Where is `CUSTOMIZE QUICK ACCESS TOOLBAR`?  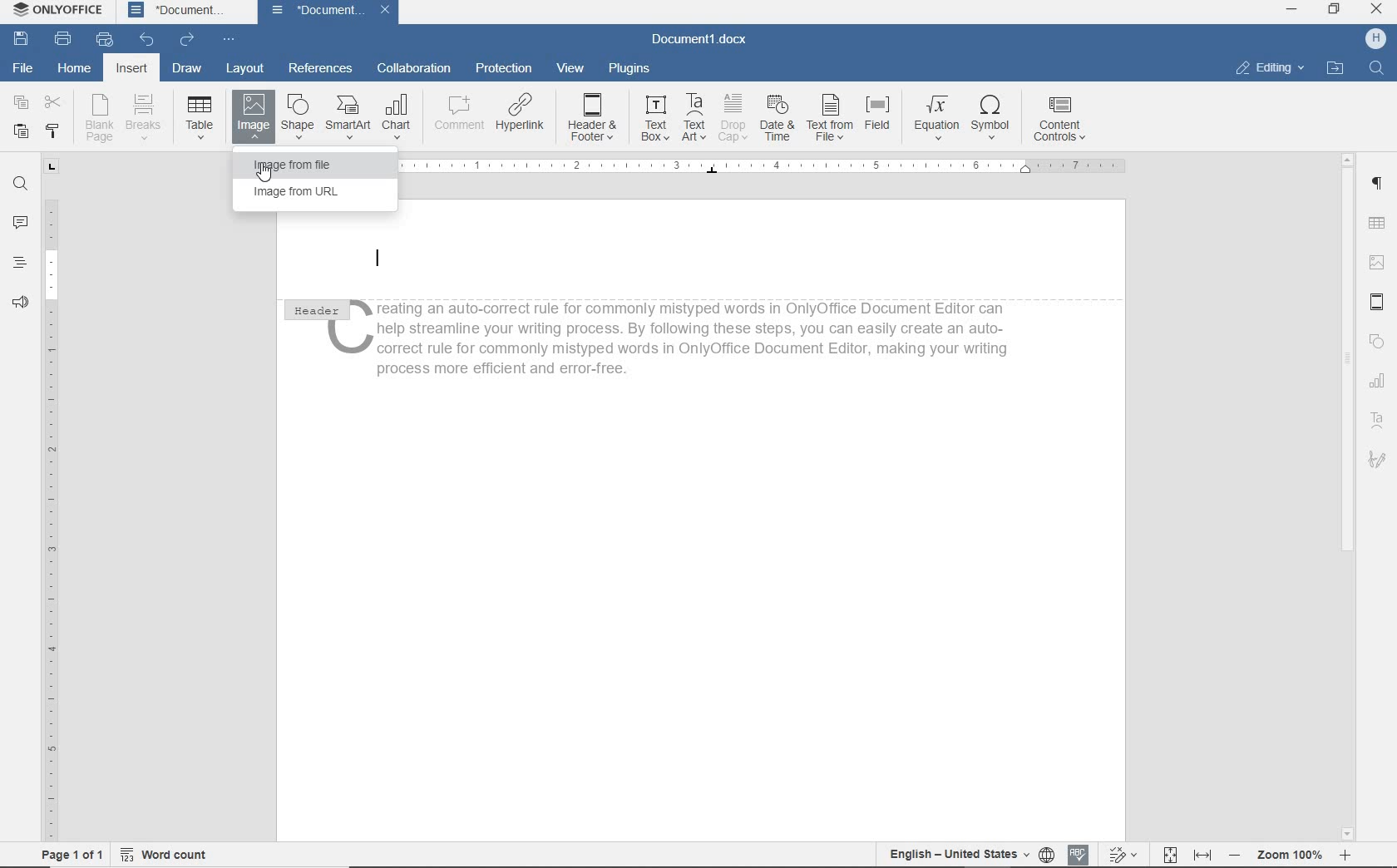
CUSTOMIZE QUICK ACCESS TOOLBAR is located at coordinates (225, 38).